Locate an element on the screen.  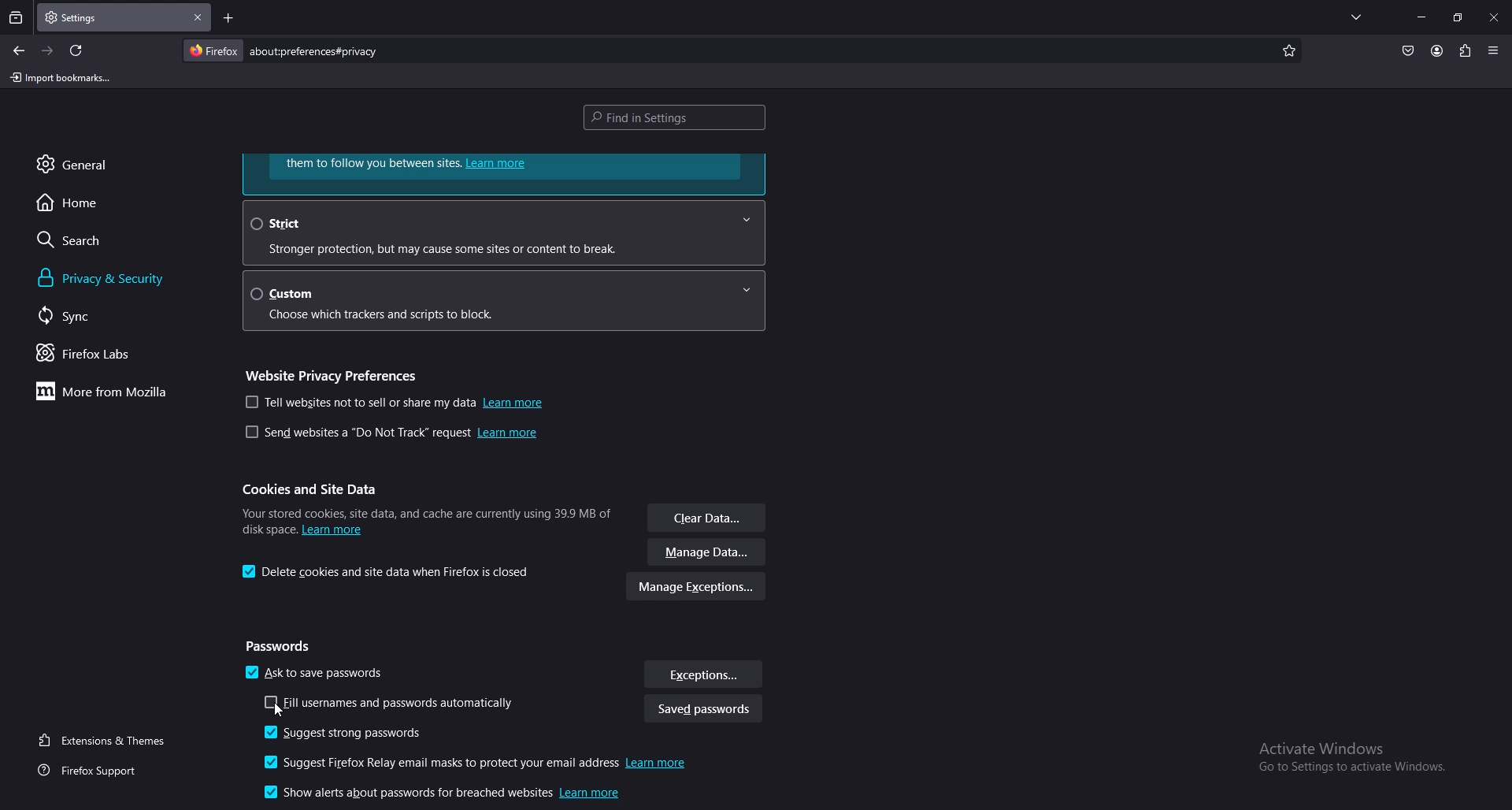
list all tabs is located at coordinates (1356, 17).